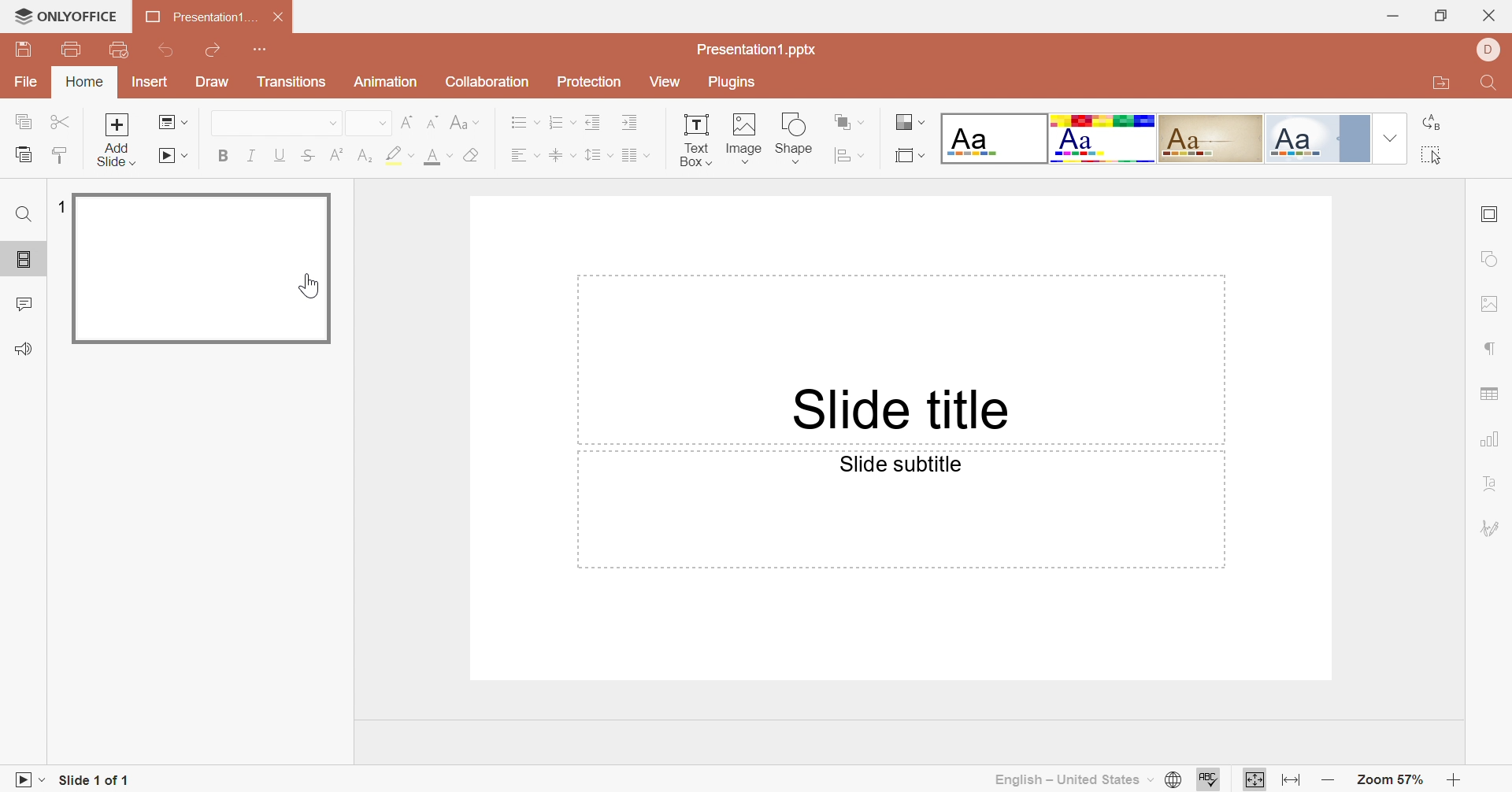  What do you see at coordinates (993, 138) in the screenshot?
I see `Blank` at bounding box center [993, 138].